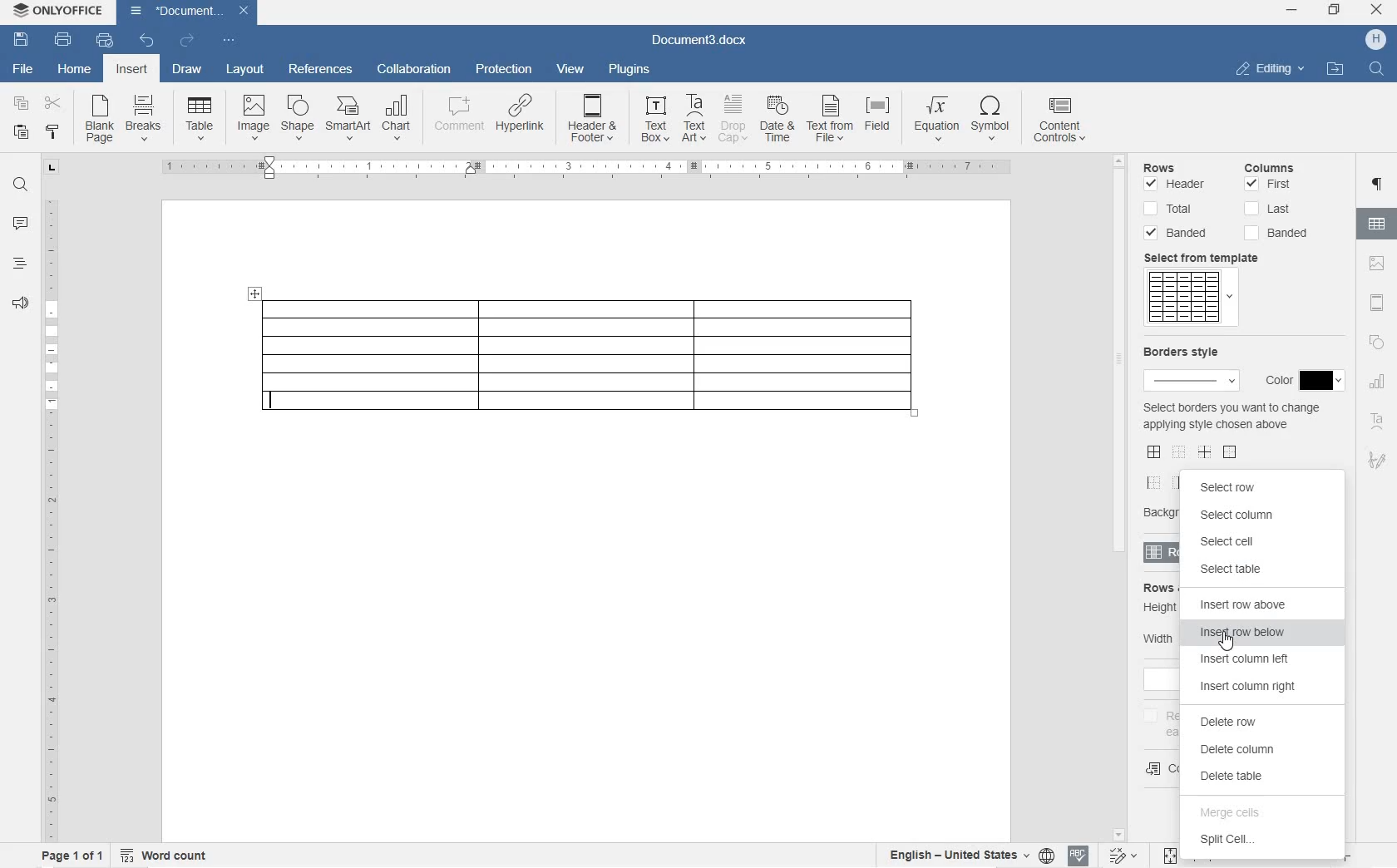 The image size is (1397, 868). What do you see at coordinates (1171, 209) in the screenshot?
I see `Total` at bounding box center [1171, 209].